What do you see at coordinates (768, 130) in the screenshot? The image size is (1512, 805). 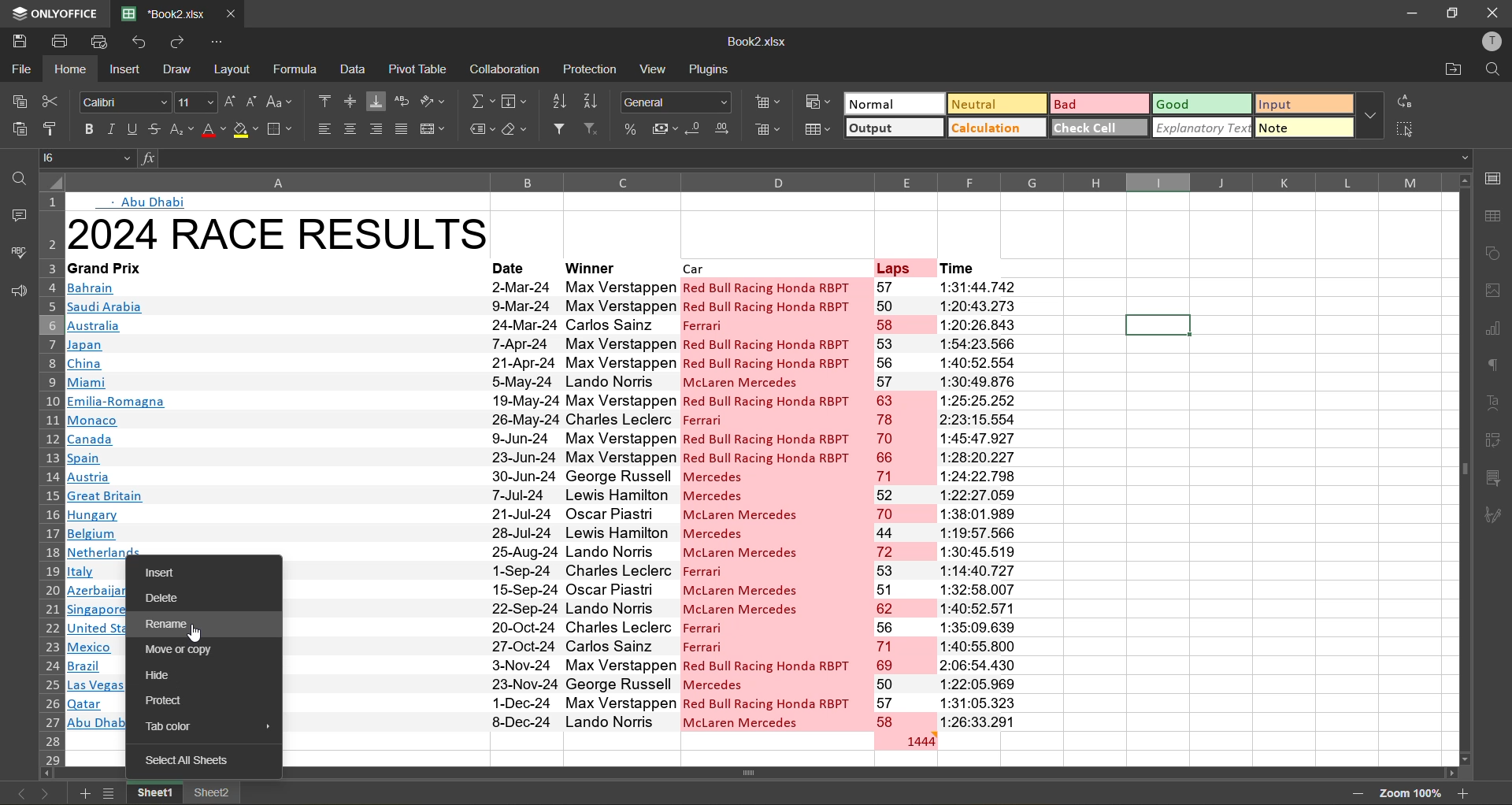 I see `delete cells` at bounding box center [768, 130].